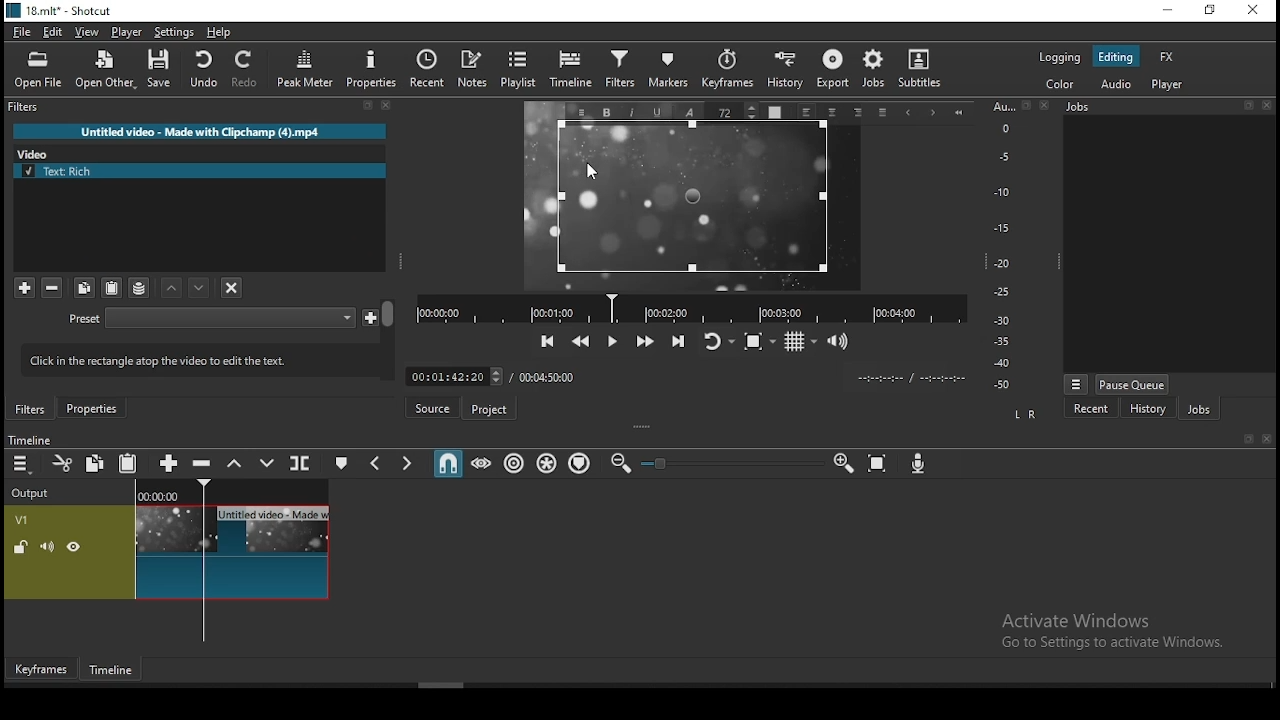  What do you see at coordinates (339, 462) in the screenshot?
I see `create/edit marker` at bounding box center [339, 462].